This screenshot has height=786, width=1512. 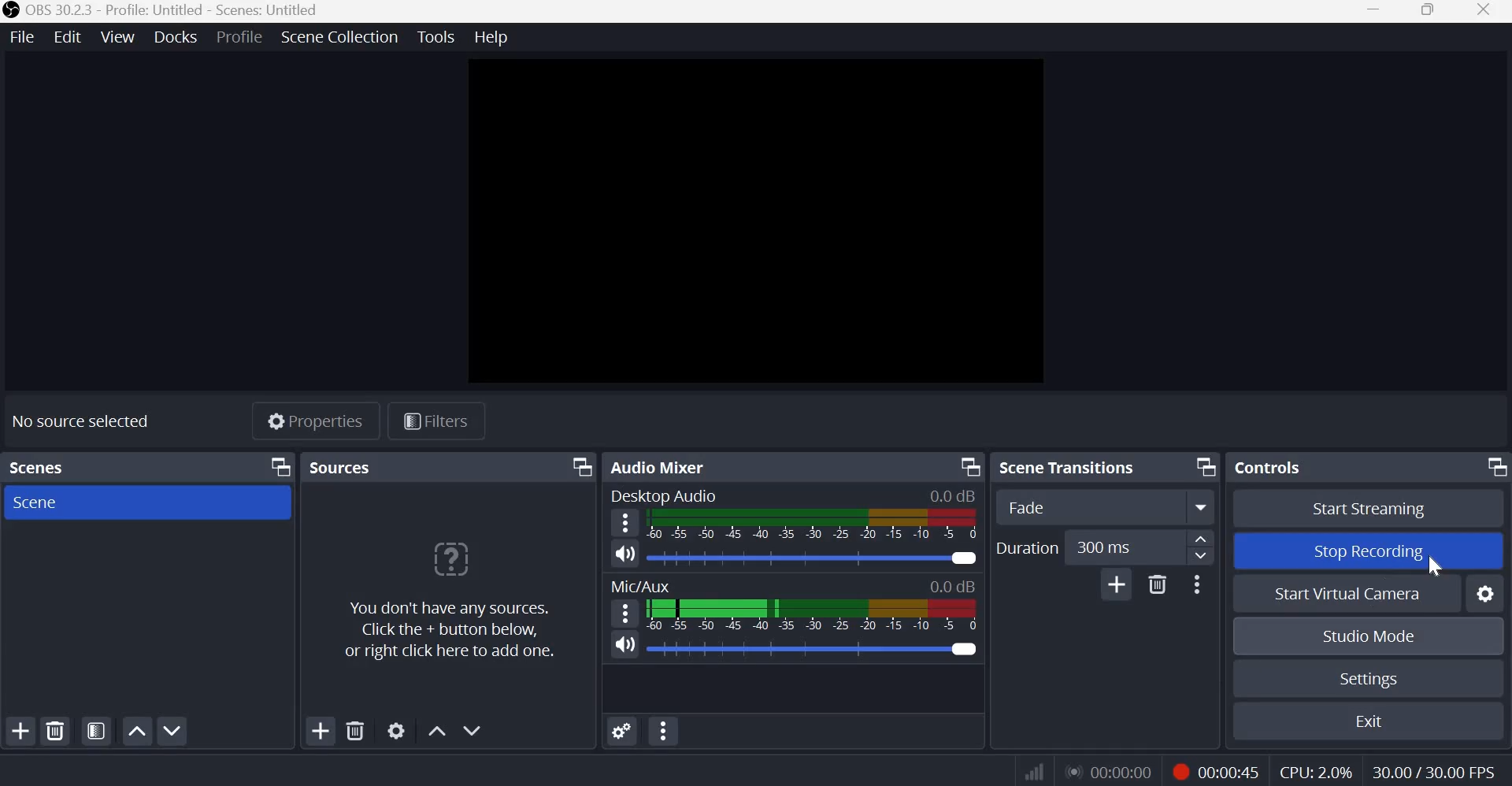 What do you see at coordinates (1232, 771) in the screenshot?
I see `00:00:45` at bounding box center [1232, 771].